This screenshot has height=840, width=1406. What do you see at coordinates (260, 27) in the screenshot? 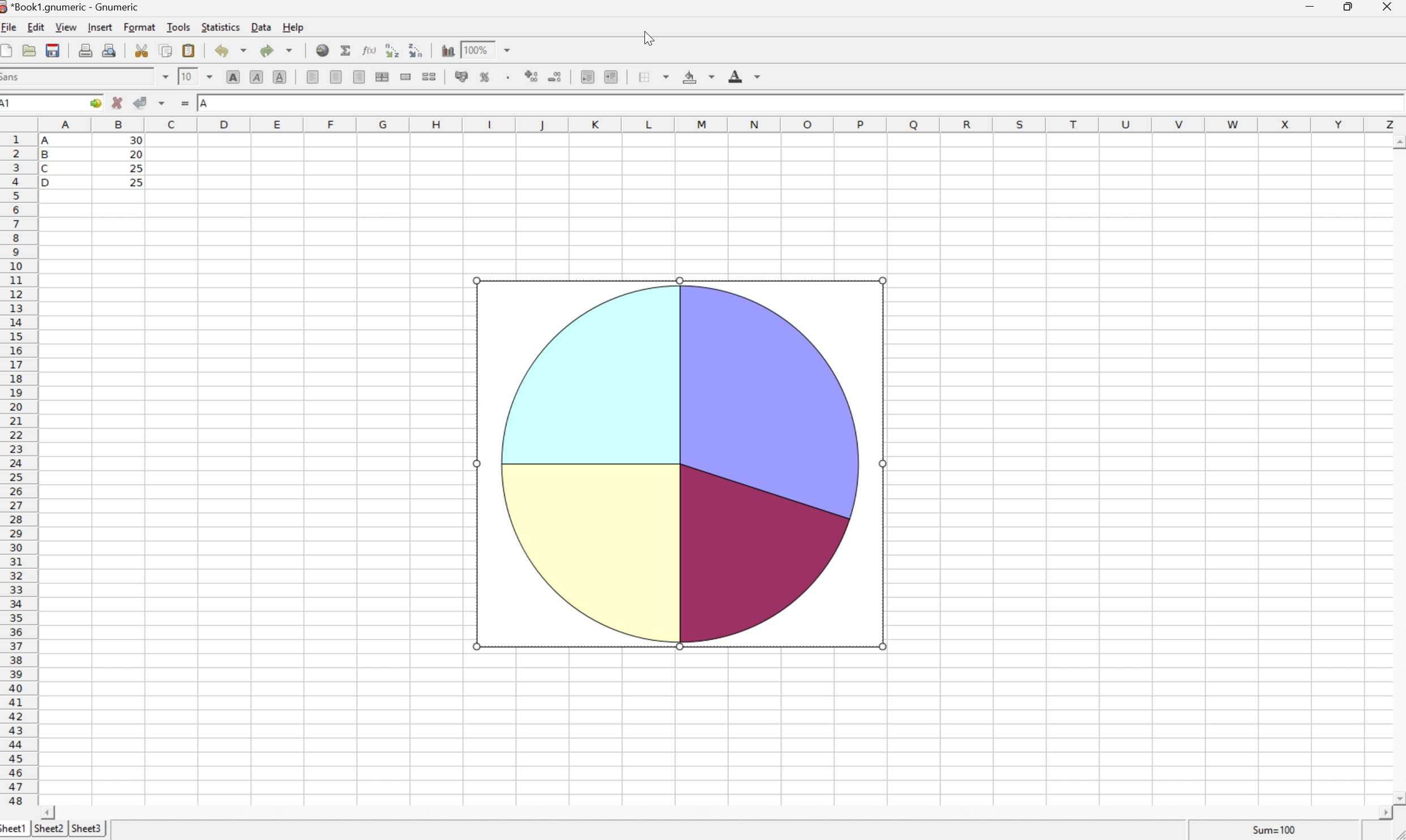
I see `Data` at bounding box center [260, 27].